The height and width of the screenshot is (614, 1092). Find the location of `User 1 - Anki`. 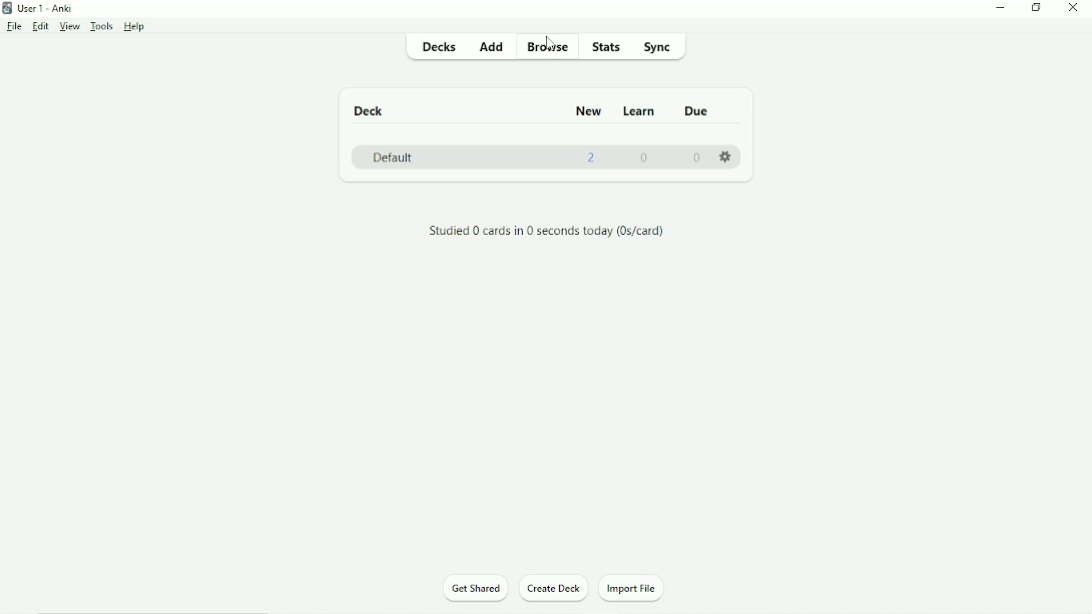

User 1 - Anki is located at coordinates (55, 8).